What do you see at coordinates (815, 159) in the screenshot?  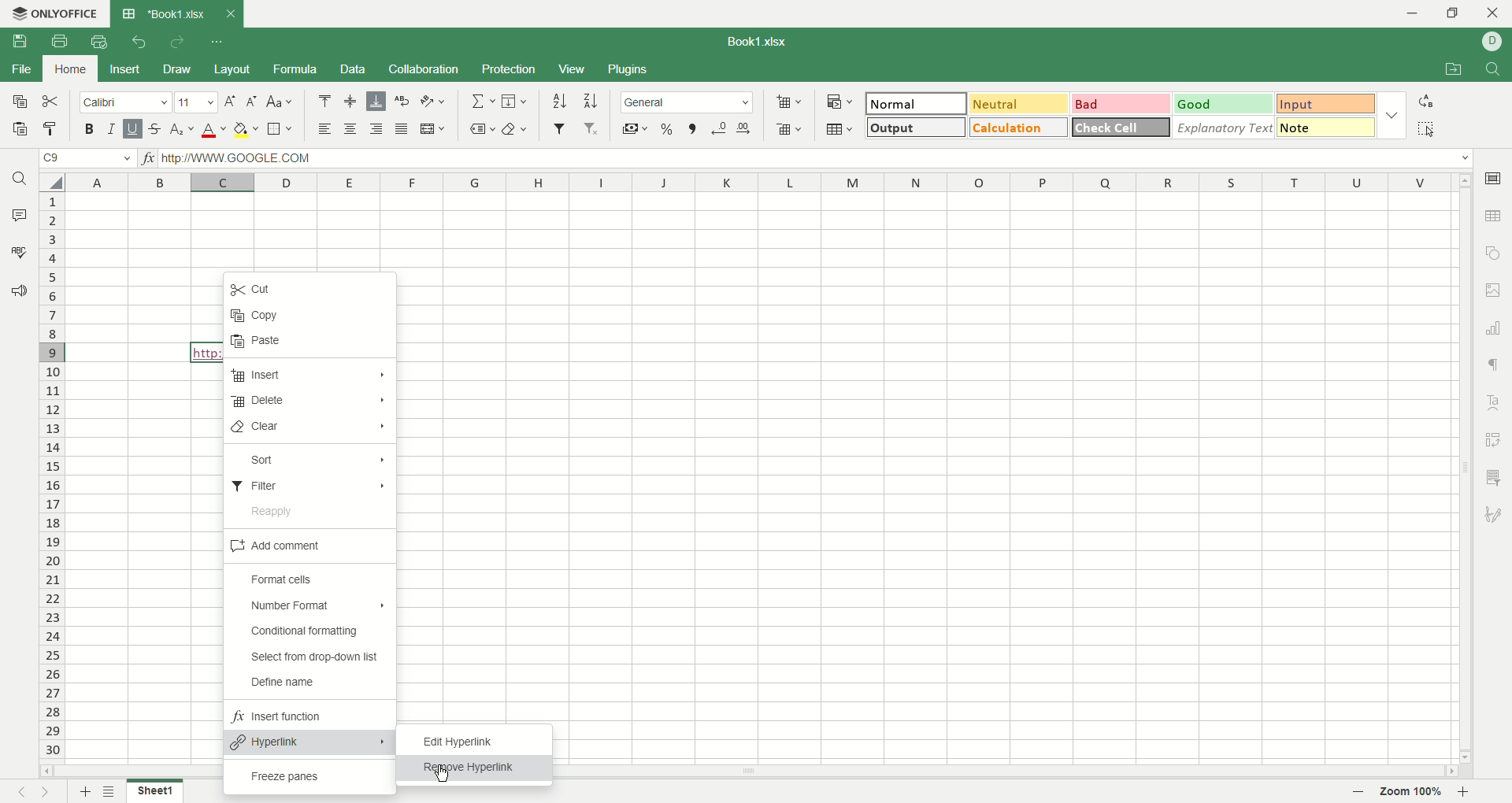 I see `input line` at bounding box center [815, 159].